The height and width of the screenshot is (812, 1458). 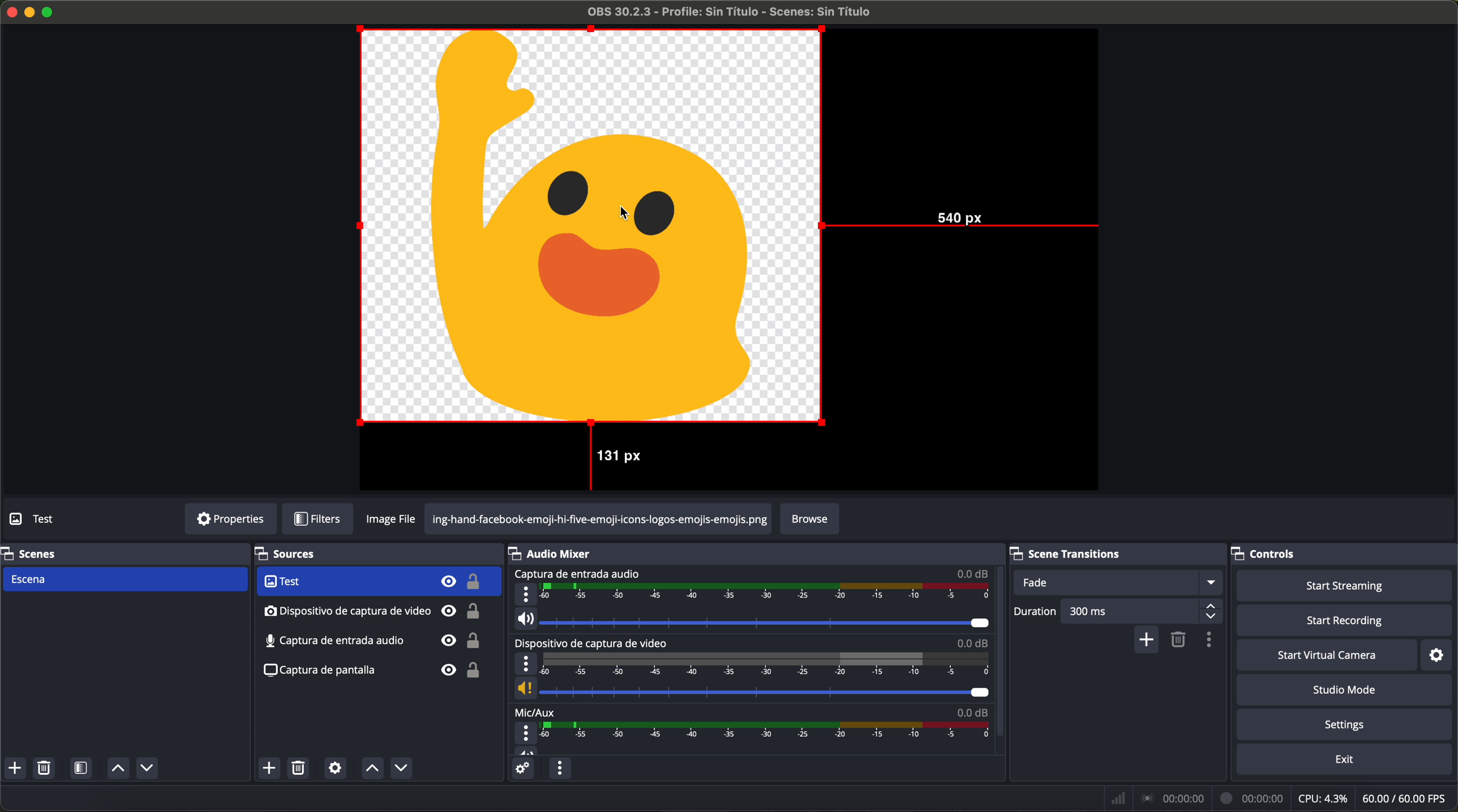 What do you see at coordinates (1147, 641) in the screenshot?
I see `add configurable transition` at bounding box center [1147, 641].